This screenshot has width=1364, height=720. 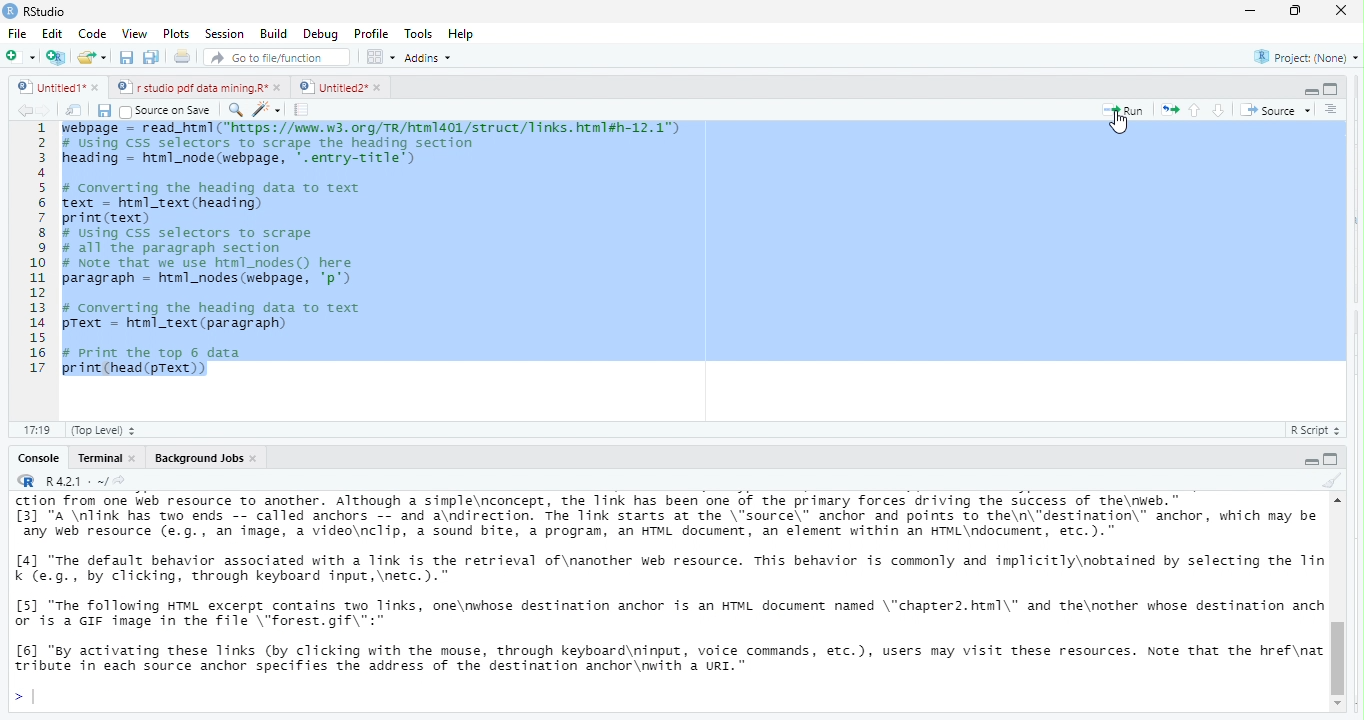 What do you see at coordinates (432, 57) in the screenshot?
I see `Addins ` at bounding box center [432, 57].